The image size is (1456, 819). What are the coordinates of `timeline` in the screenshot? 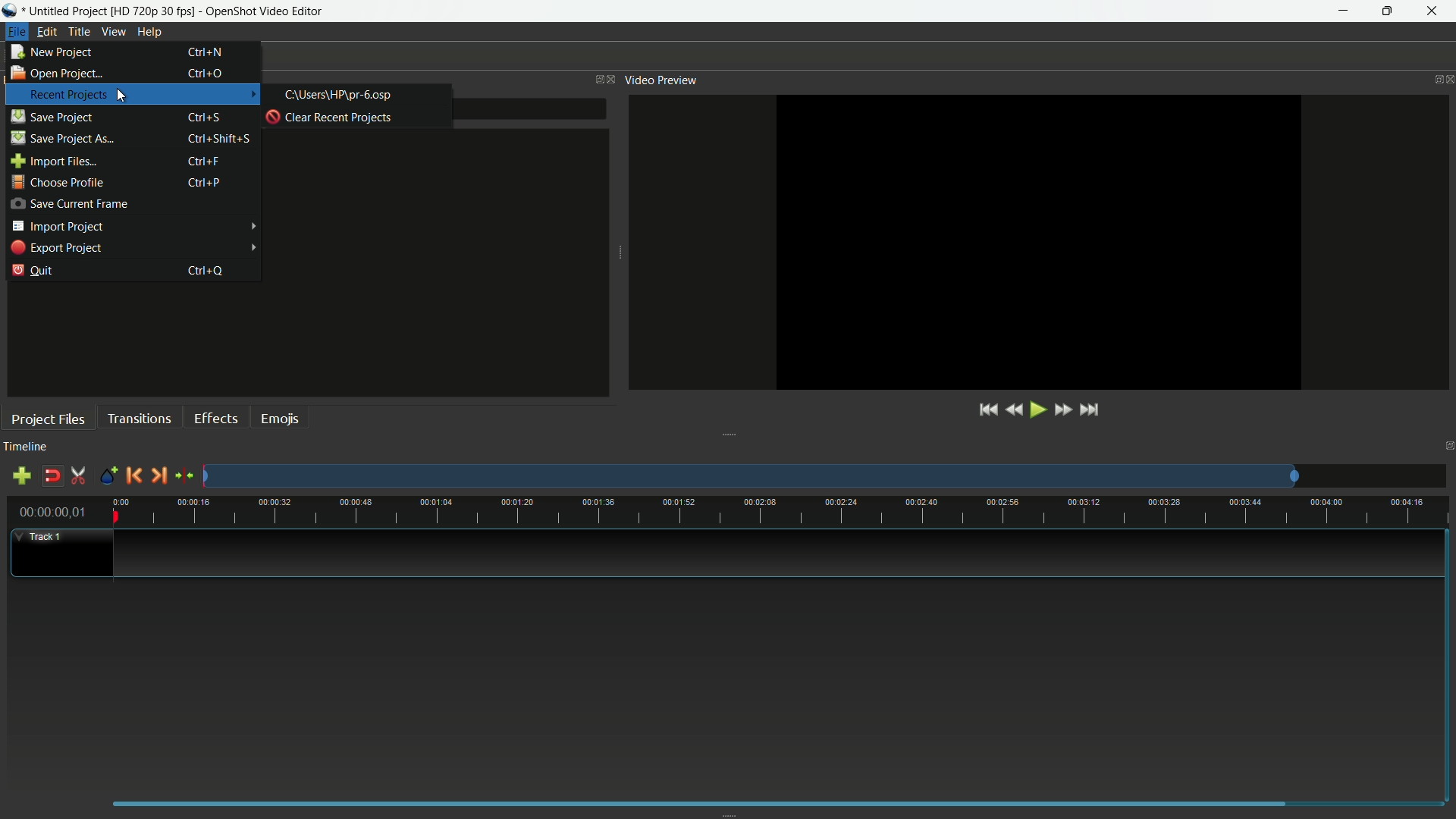 It's located at (26, 446).